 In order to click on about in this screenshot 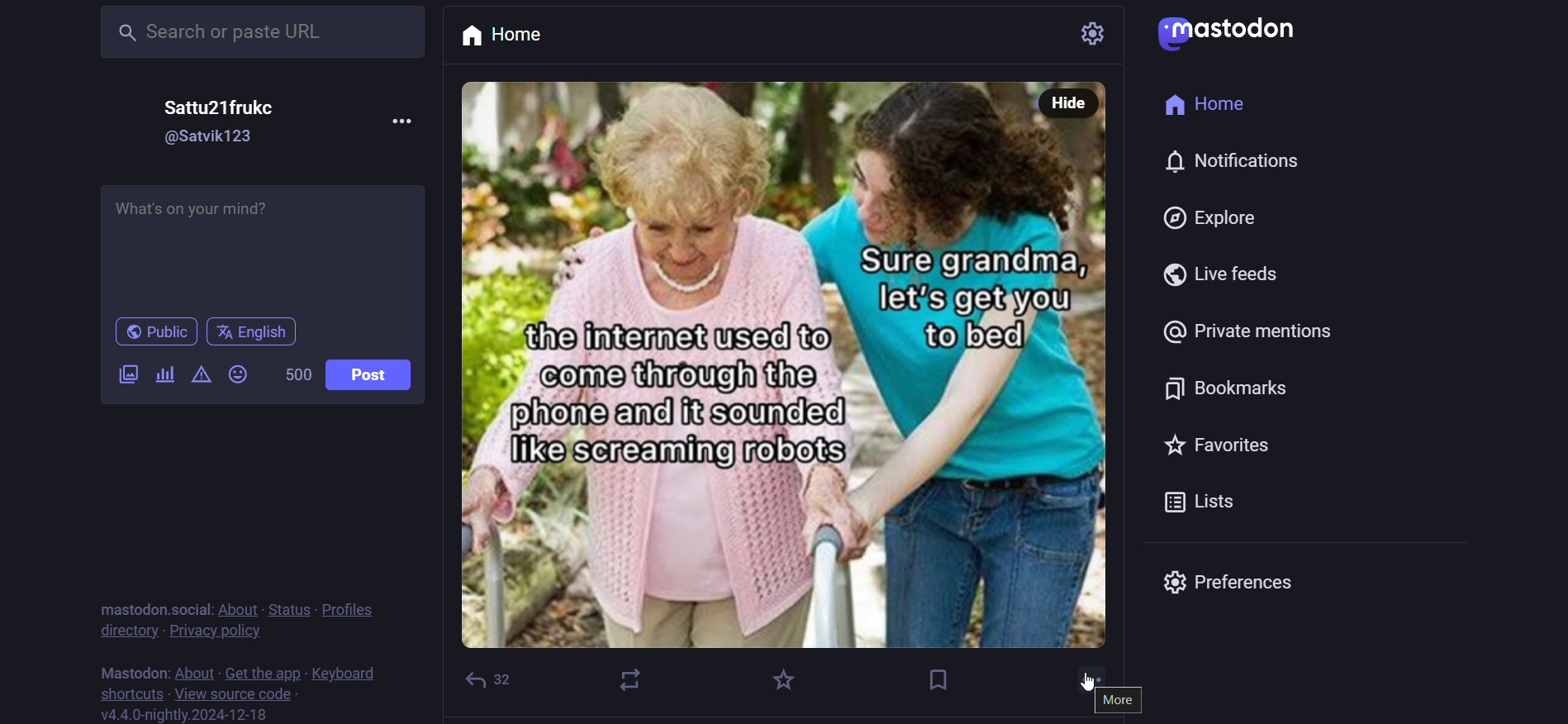, I will do `click(193, 671)`.